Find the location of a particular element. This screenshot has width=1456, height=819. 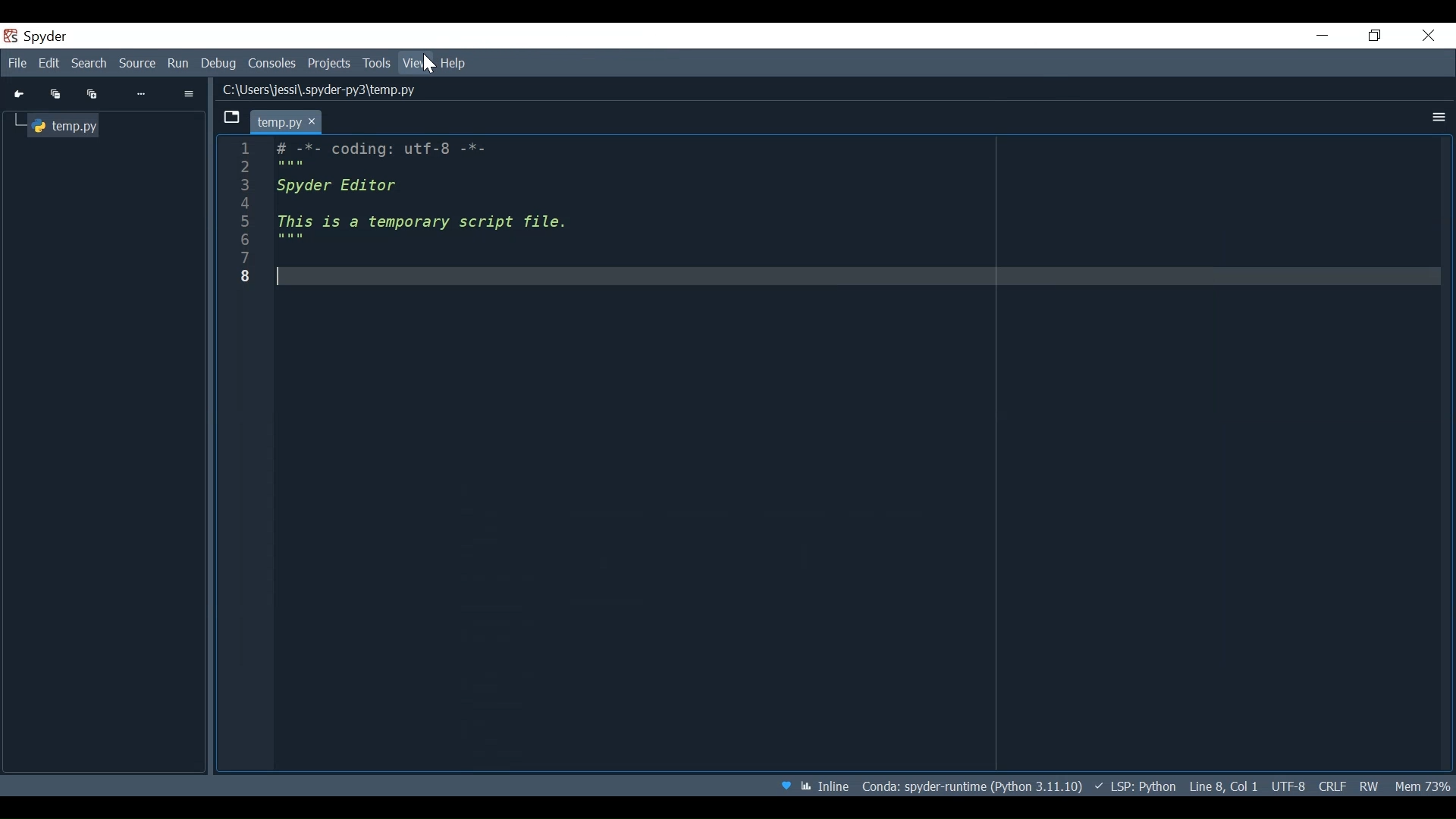

Close is located at coordinates (1430, 36).